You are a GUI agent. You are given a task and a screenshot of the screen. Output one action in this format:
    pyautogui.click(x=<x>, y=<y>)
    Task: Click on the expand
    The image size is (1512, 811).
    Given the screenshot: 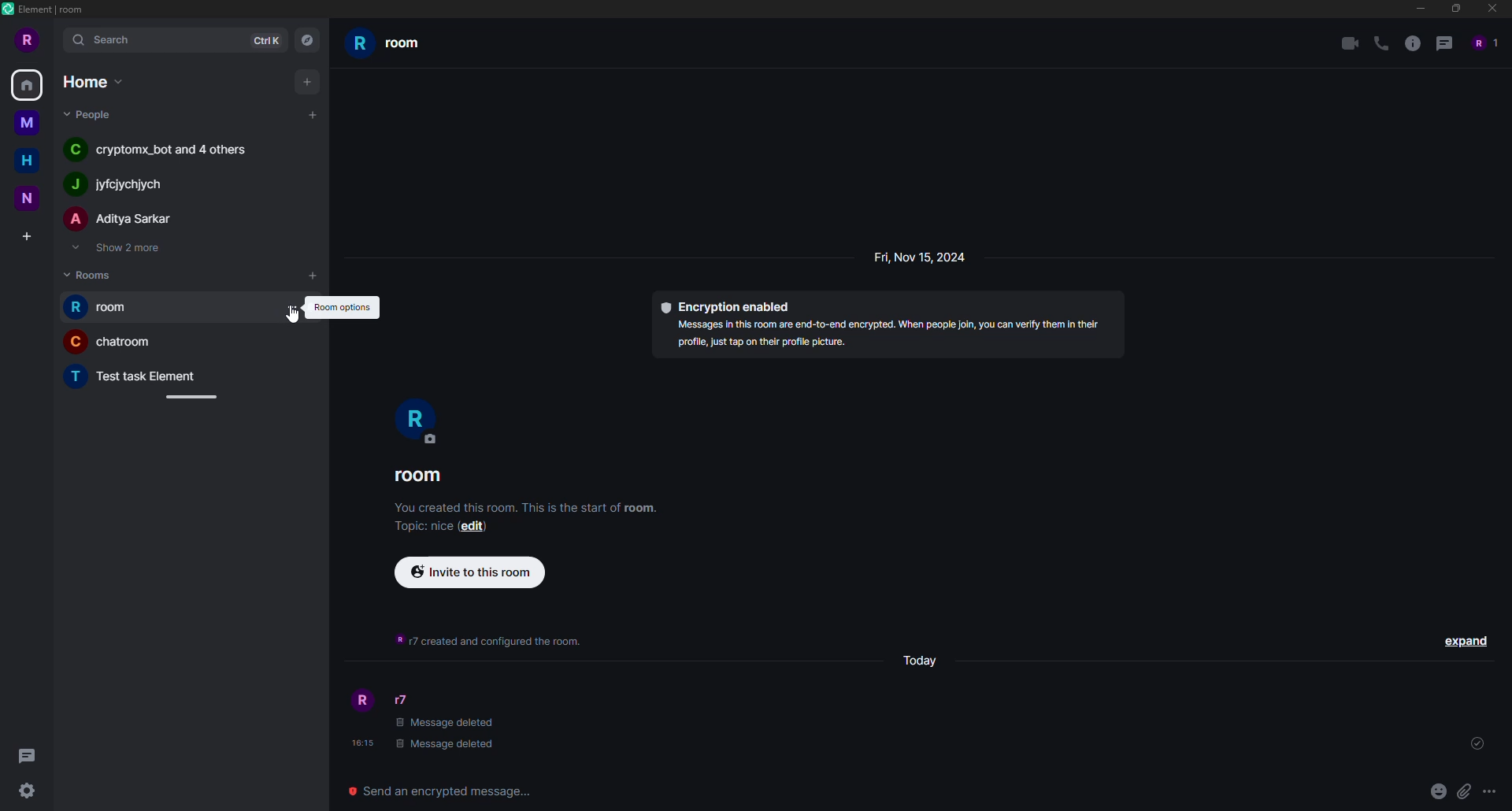 What is the action you would take?
    pyautogui.click(x=1463, y=640)
    